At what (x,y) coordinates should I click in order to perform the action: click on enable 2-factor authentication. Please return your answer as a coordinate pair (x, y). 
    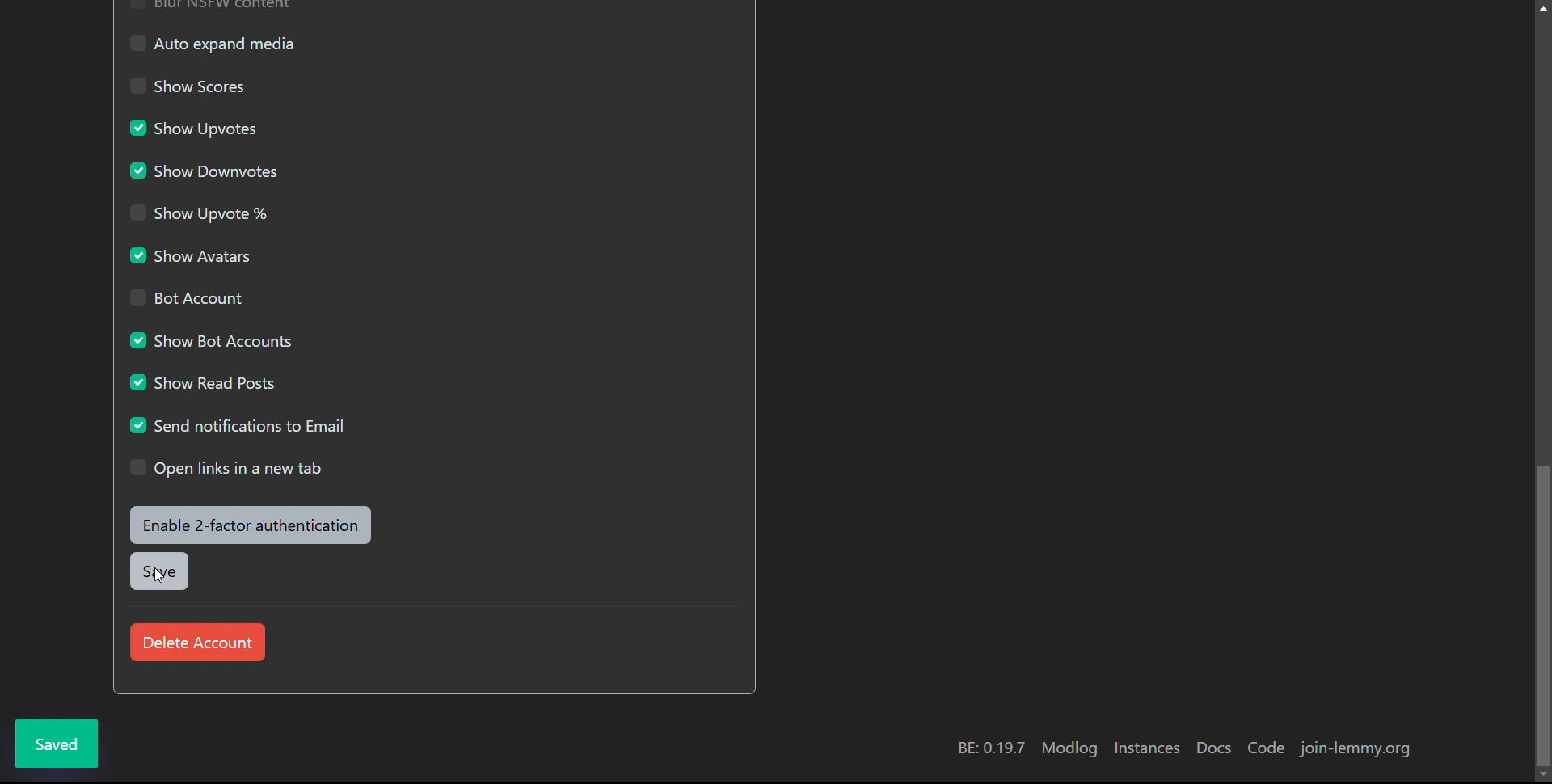
    Looking at the image, I should click on (251, 525).